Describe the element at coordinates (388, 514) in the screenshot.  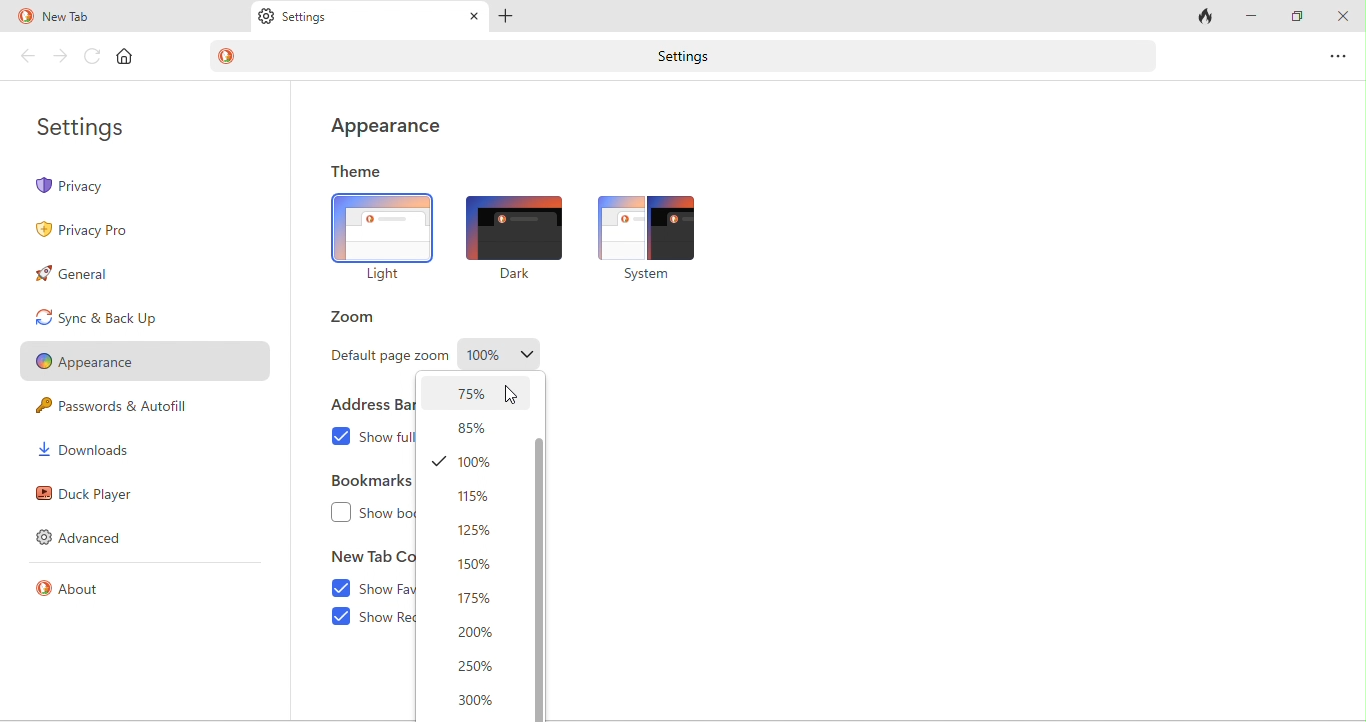
I see `show bookmarks bar` at that location.